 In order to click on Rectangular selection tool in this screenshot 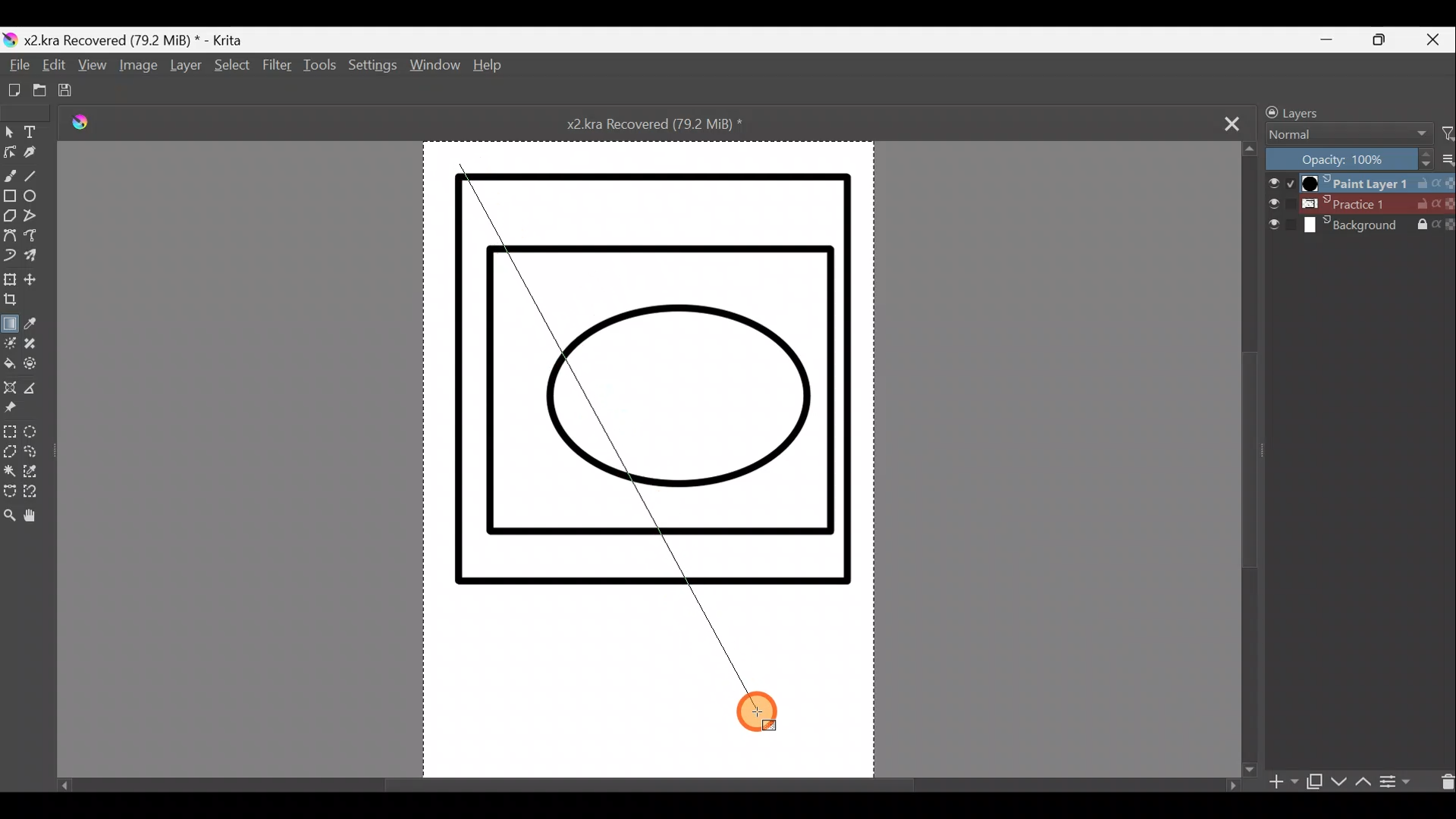, I will do `click(9, 434)`.